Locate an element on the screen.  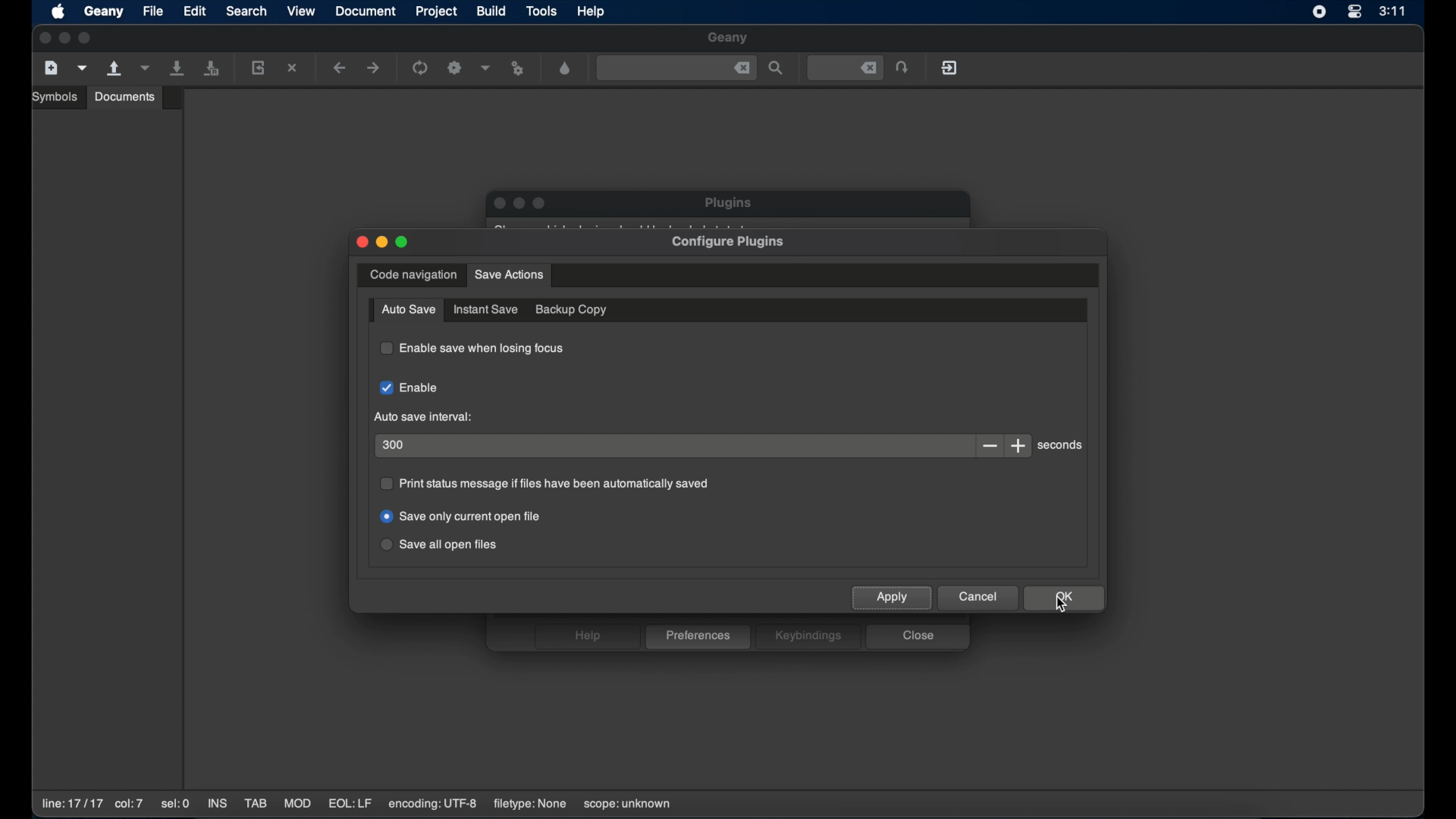
jump to the entered file is located at coordinates (903, 68).